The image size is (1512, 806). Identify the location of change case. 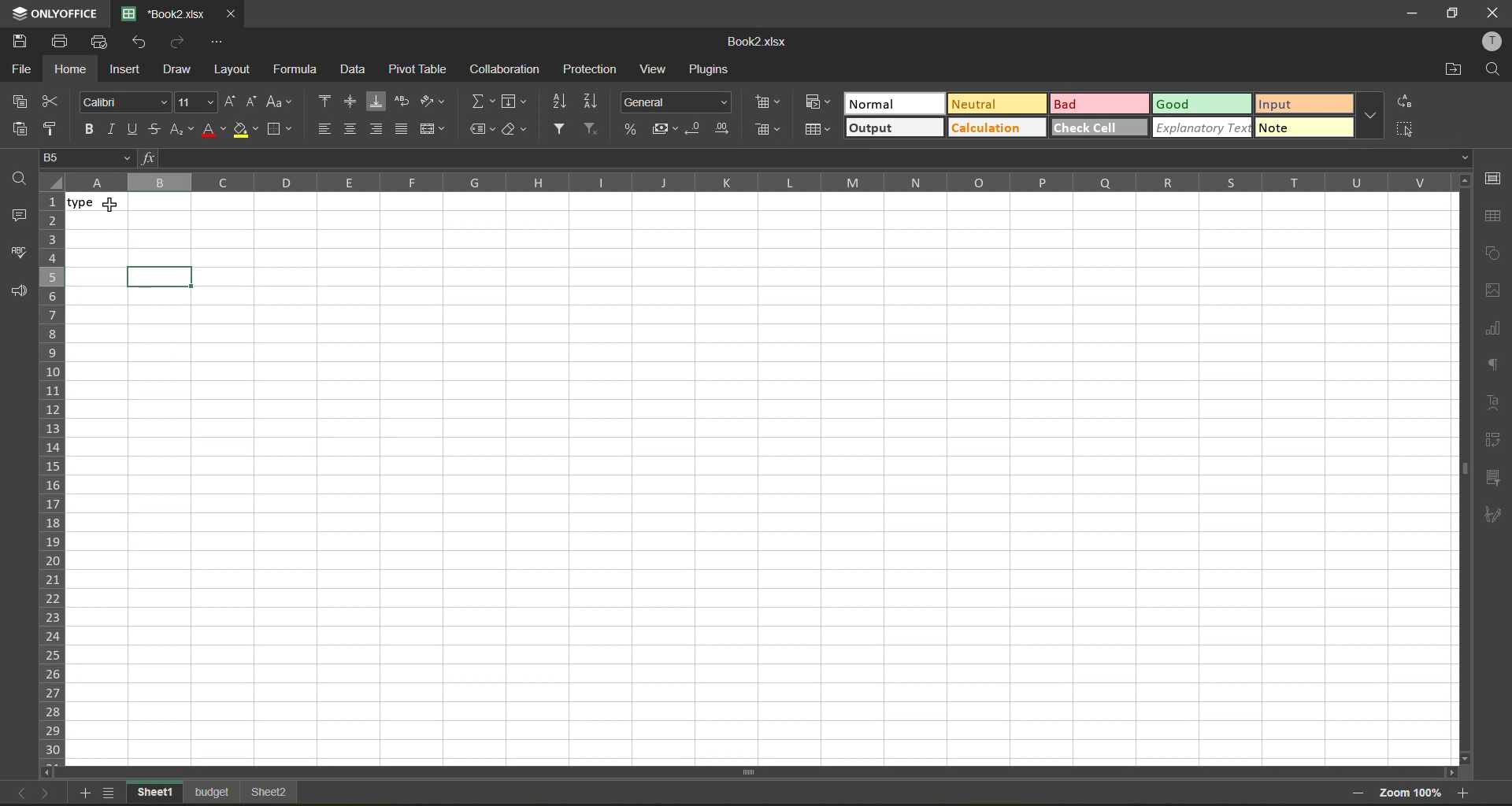
(278, 104).